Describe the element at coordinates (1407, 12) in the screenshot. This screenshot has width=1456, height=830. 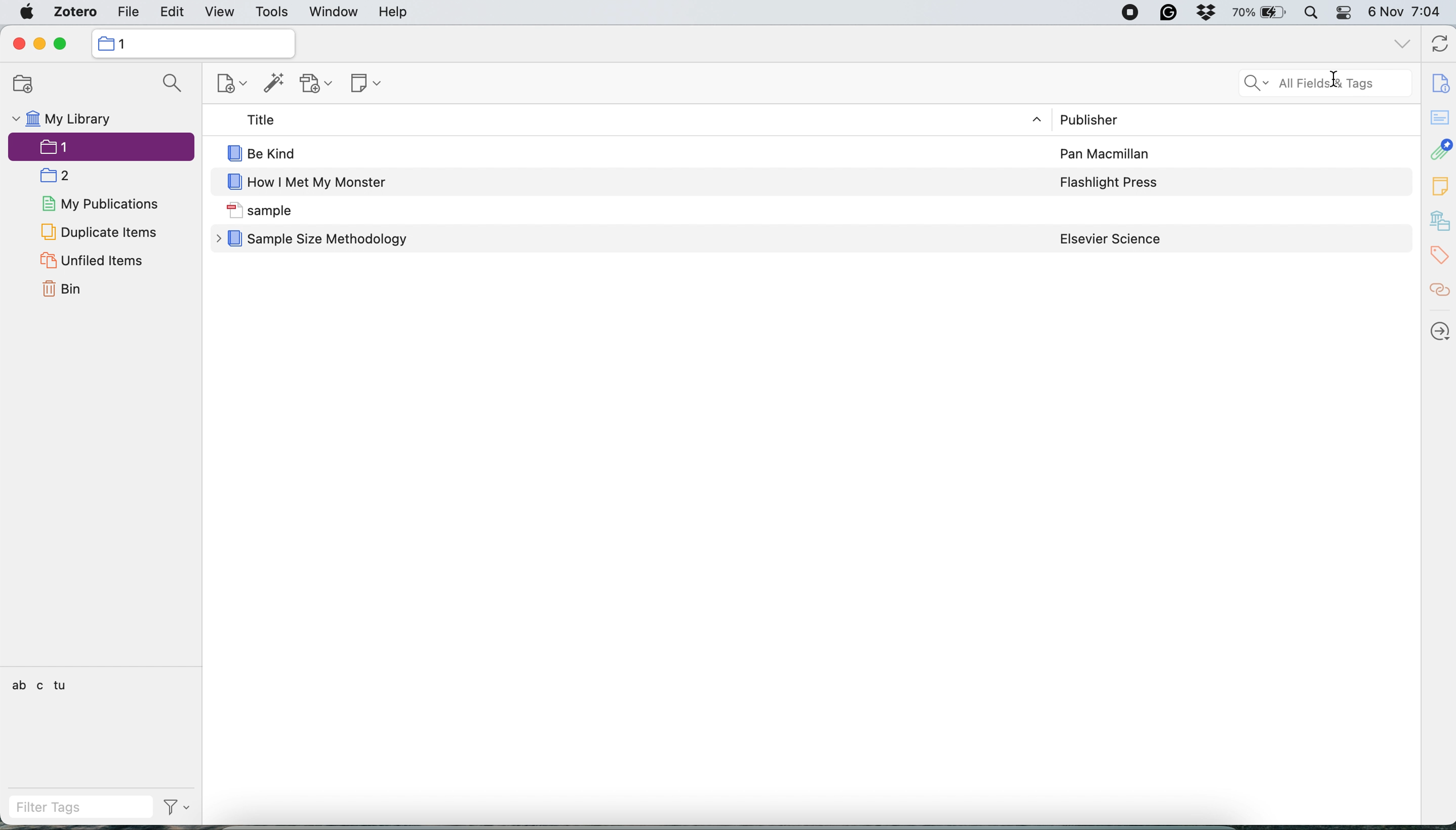
I see `6 Nov 7:04` at that location.